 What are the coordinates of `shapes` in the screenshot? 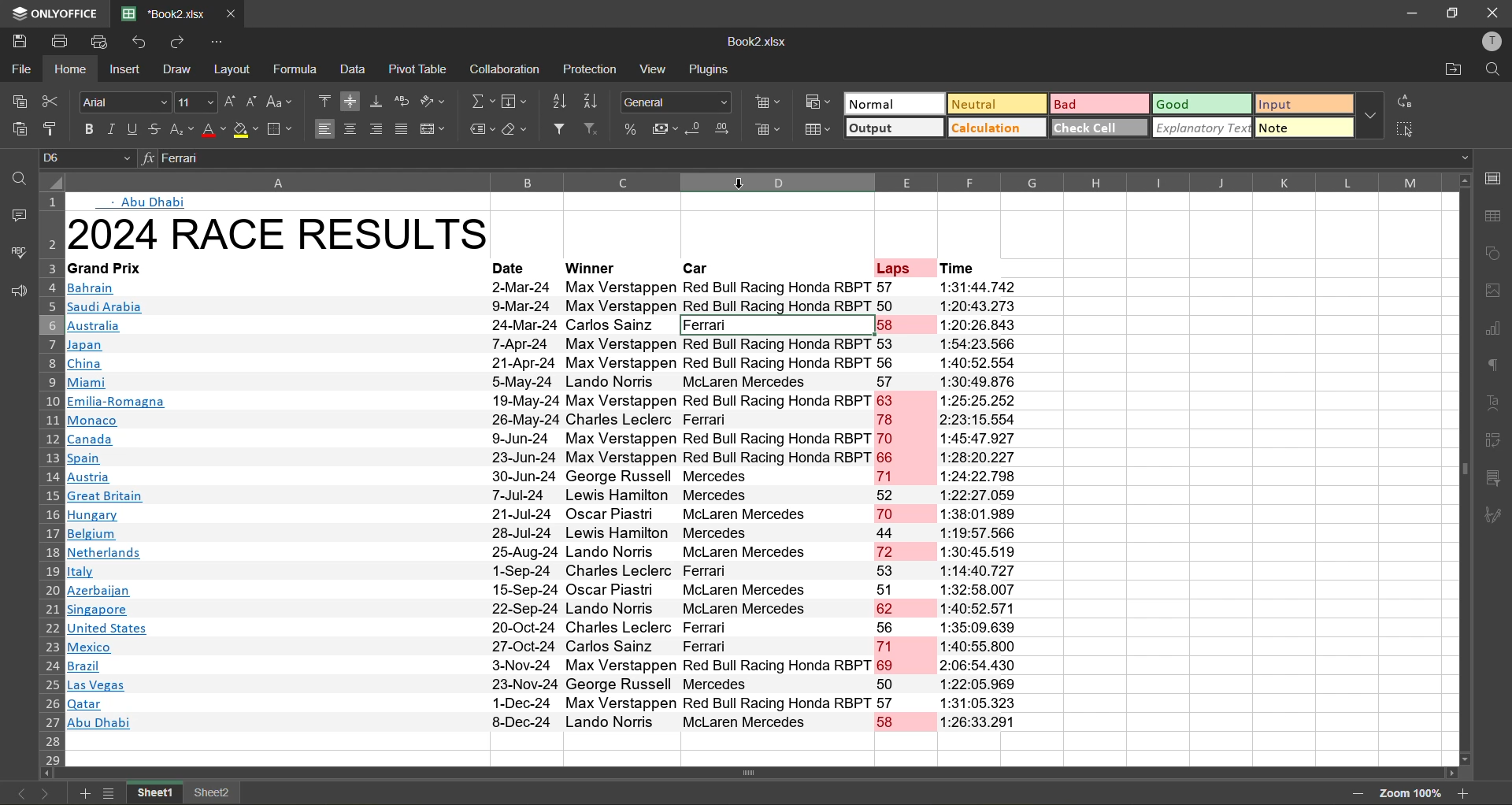 It's located at (1497, 255).